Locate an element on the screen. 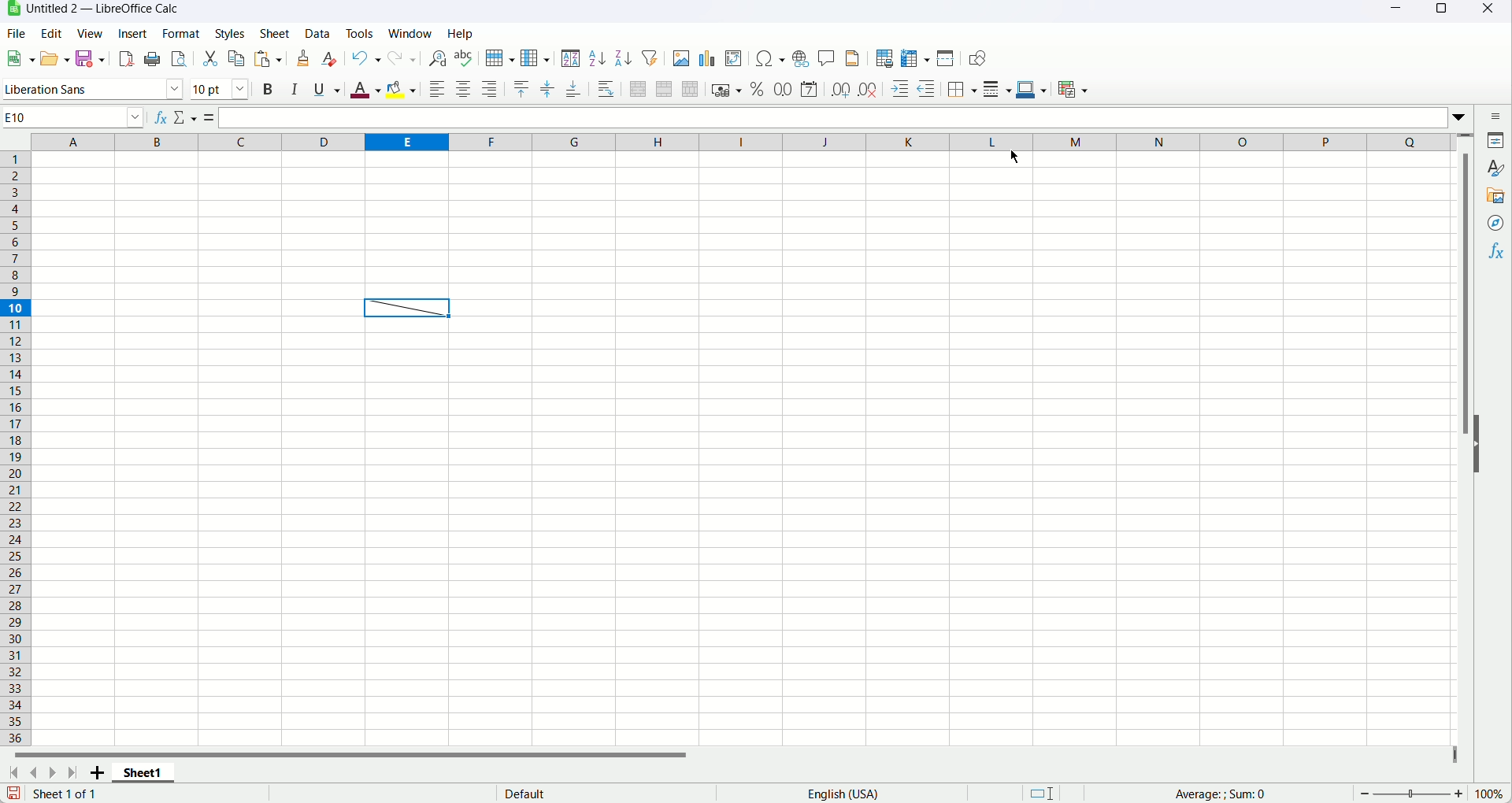 This screenshot has width=1512, height=803. Spelling is located at coordinates (465, 58).